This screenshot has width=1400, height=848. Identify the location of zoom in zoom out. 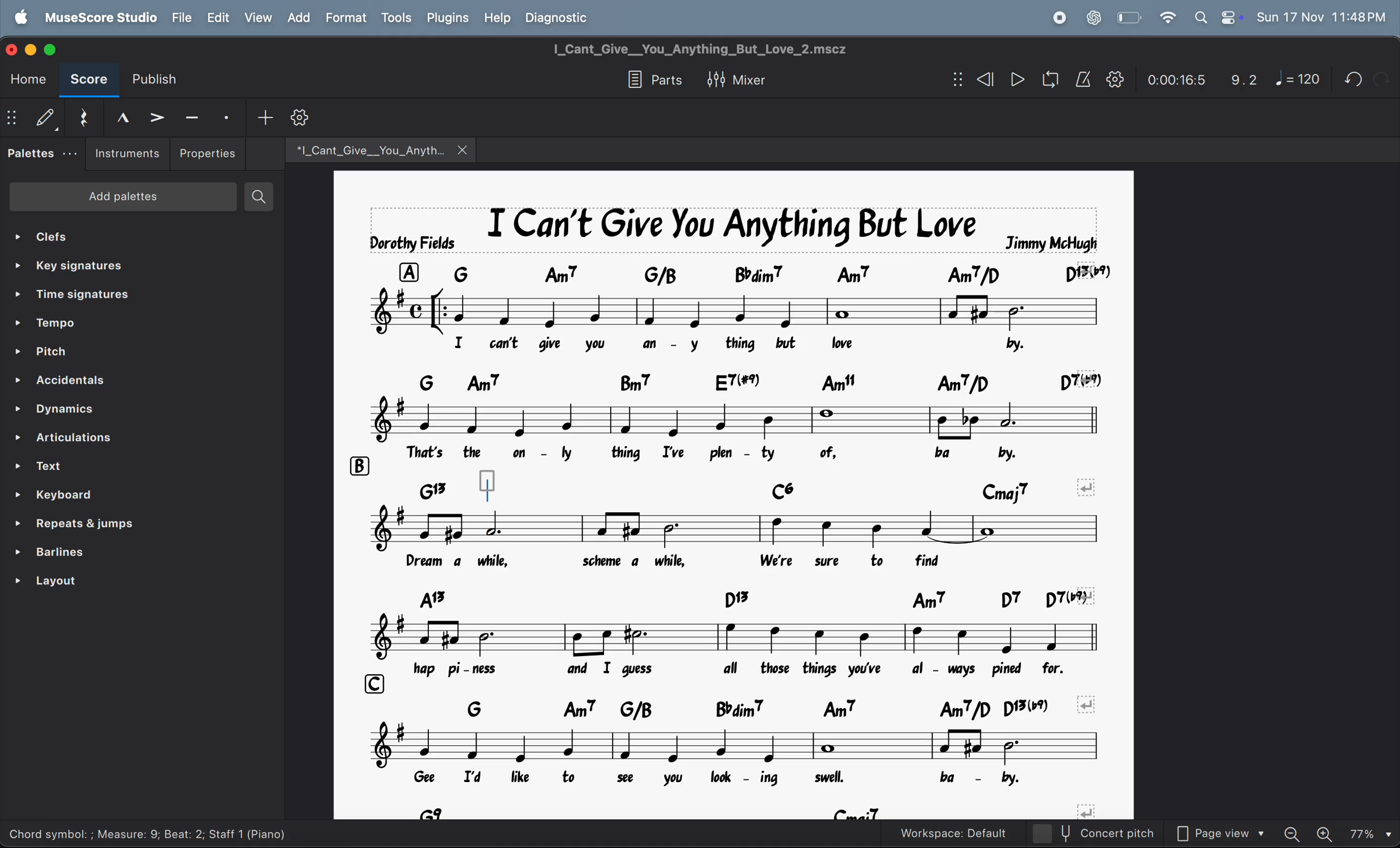
(1336, 834).